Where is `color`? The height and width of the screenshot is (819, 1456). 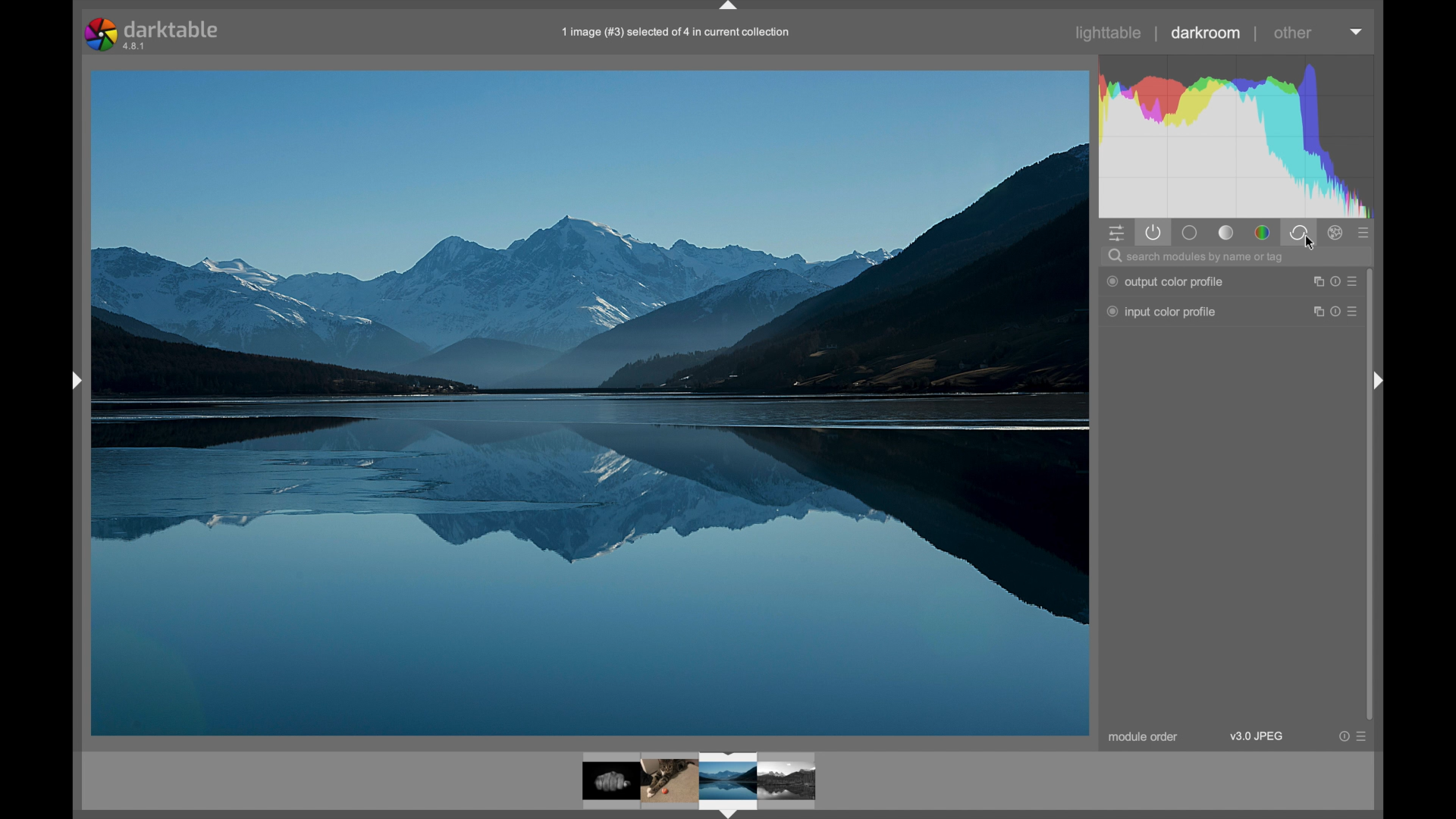 color is located at coordinates (1262, 232).